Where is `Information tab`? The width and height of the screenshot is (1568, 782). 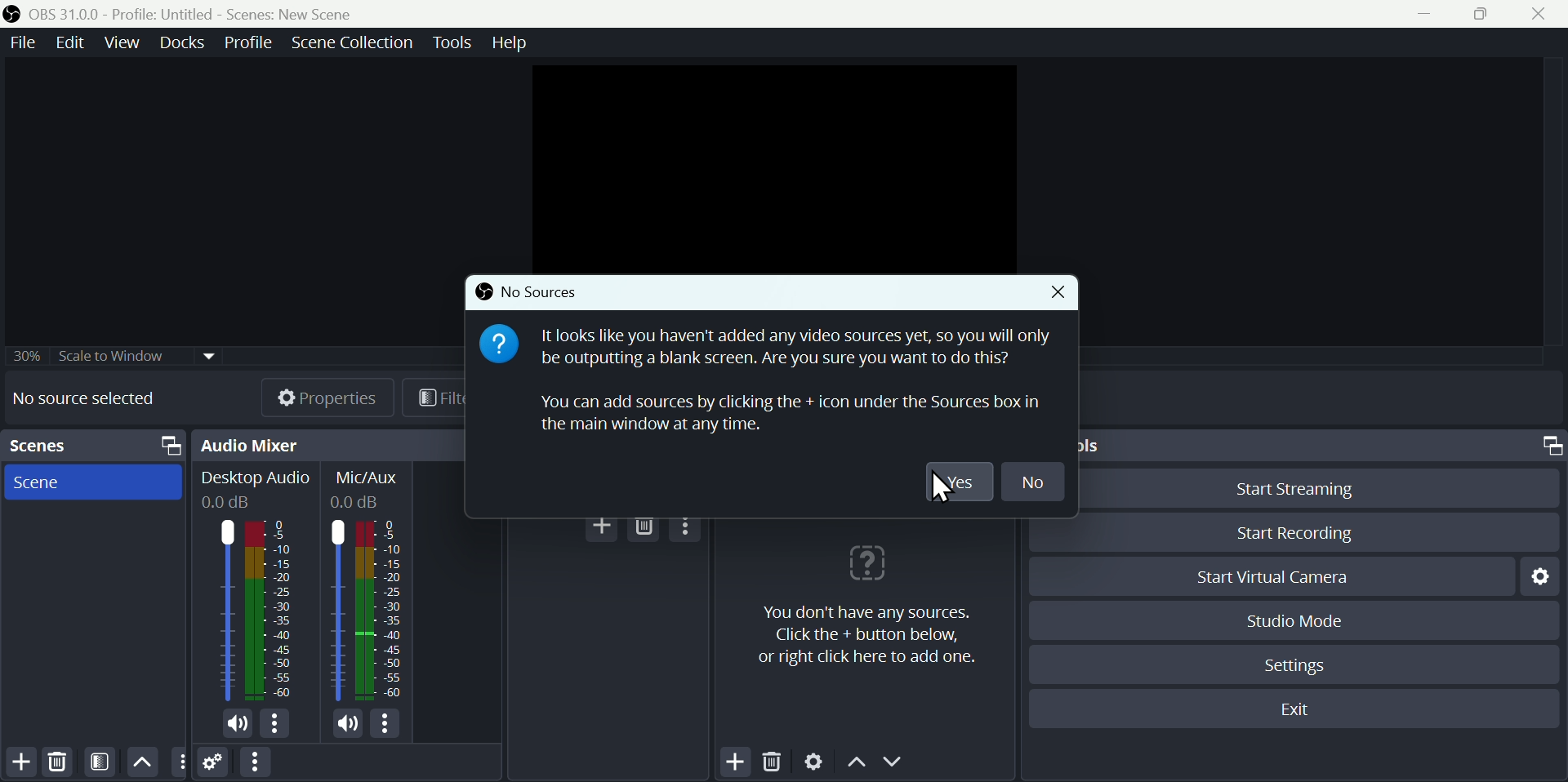 Information tab is located at coordinates (795, 380).